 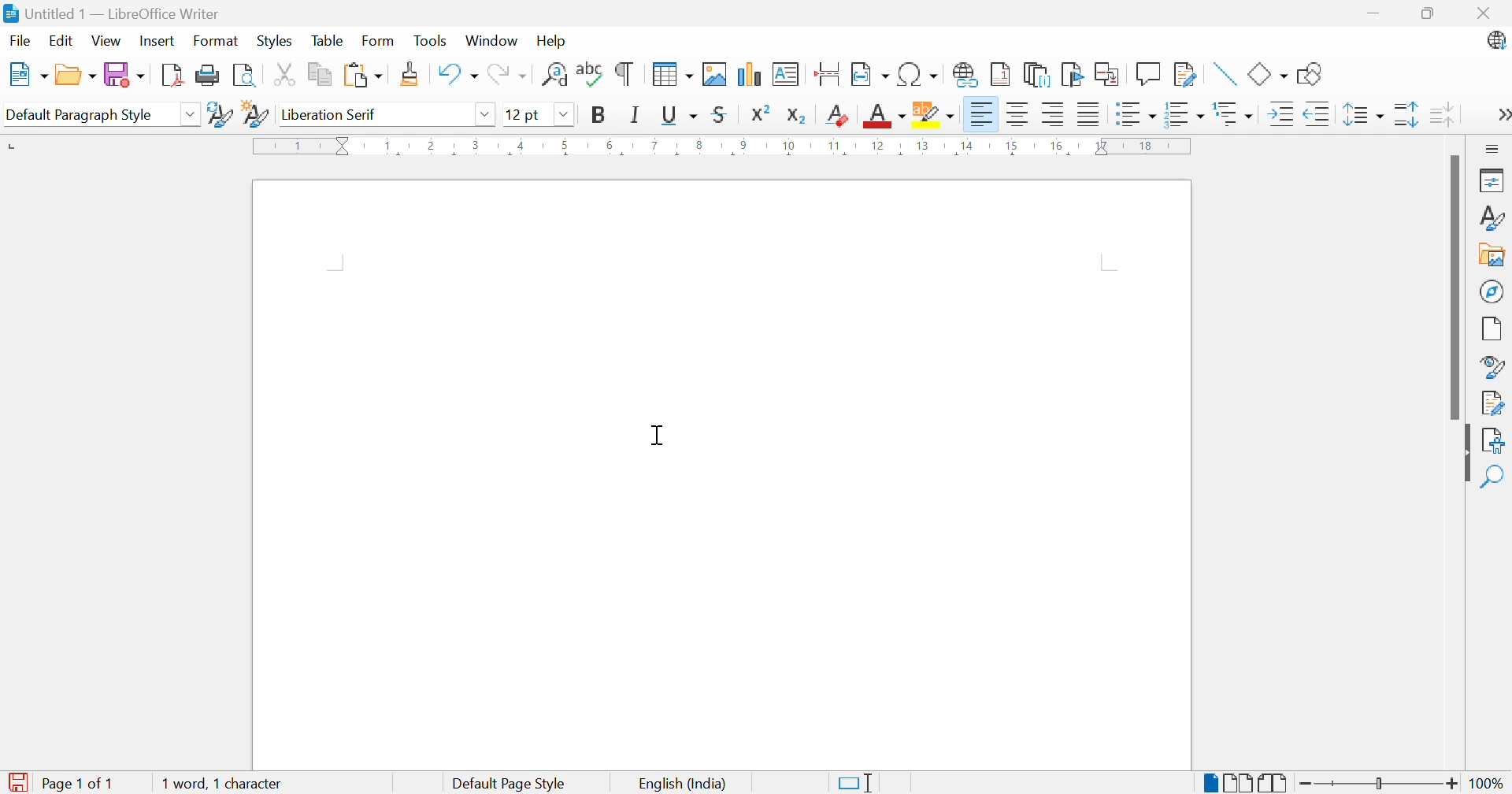 I want to click on New, so click(x=31, y=73).